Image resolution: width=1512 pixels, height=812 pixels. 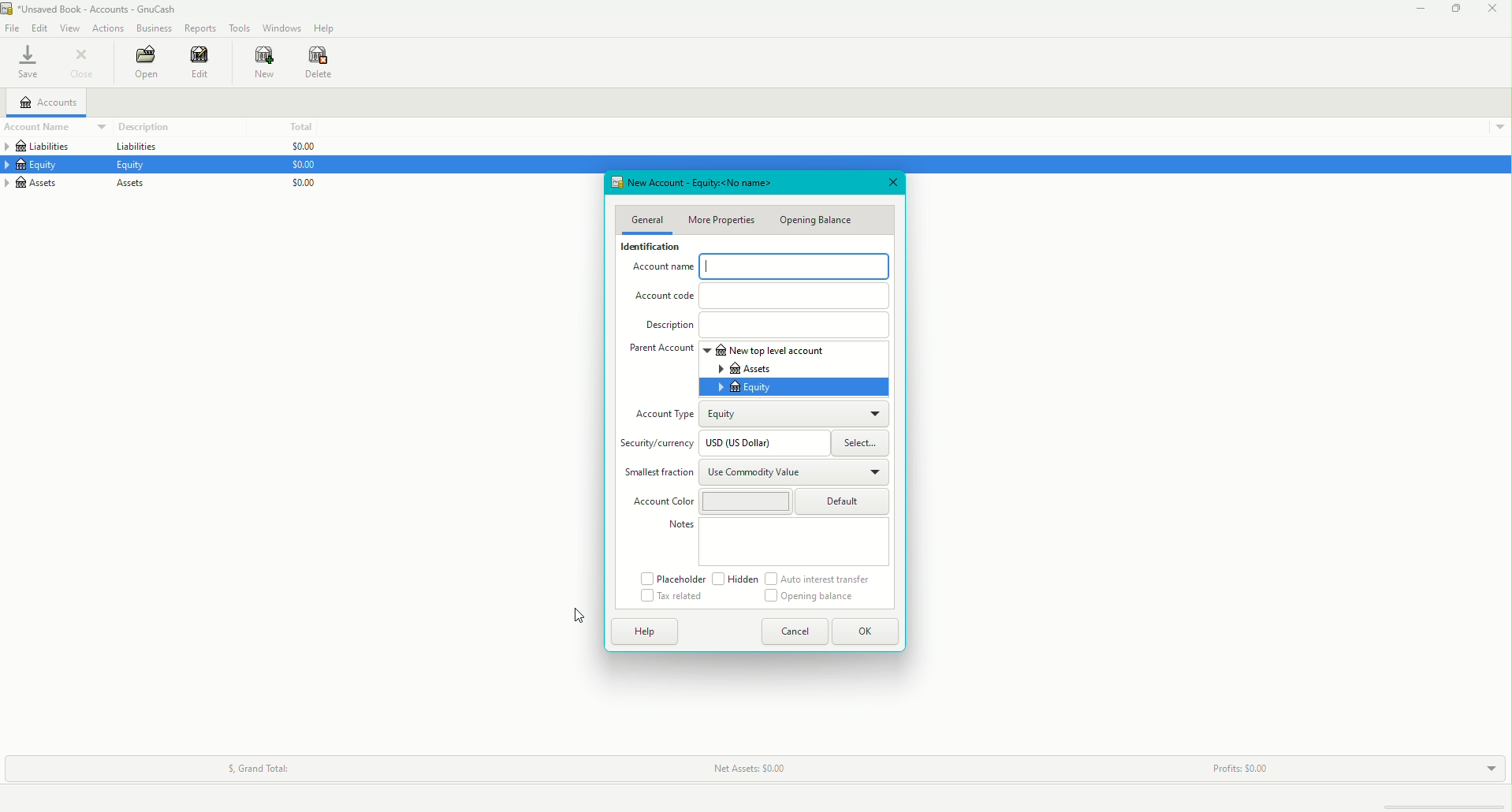 What do you see at coordinates (238, 25) in the screenshot?
I see `Tools` at bounding box center [238, 25].